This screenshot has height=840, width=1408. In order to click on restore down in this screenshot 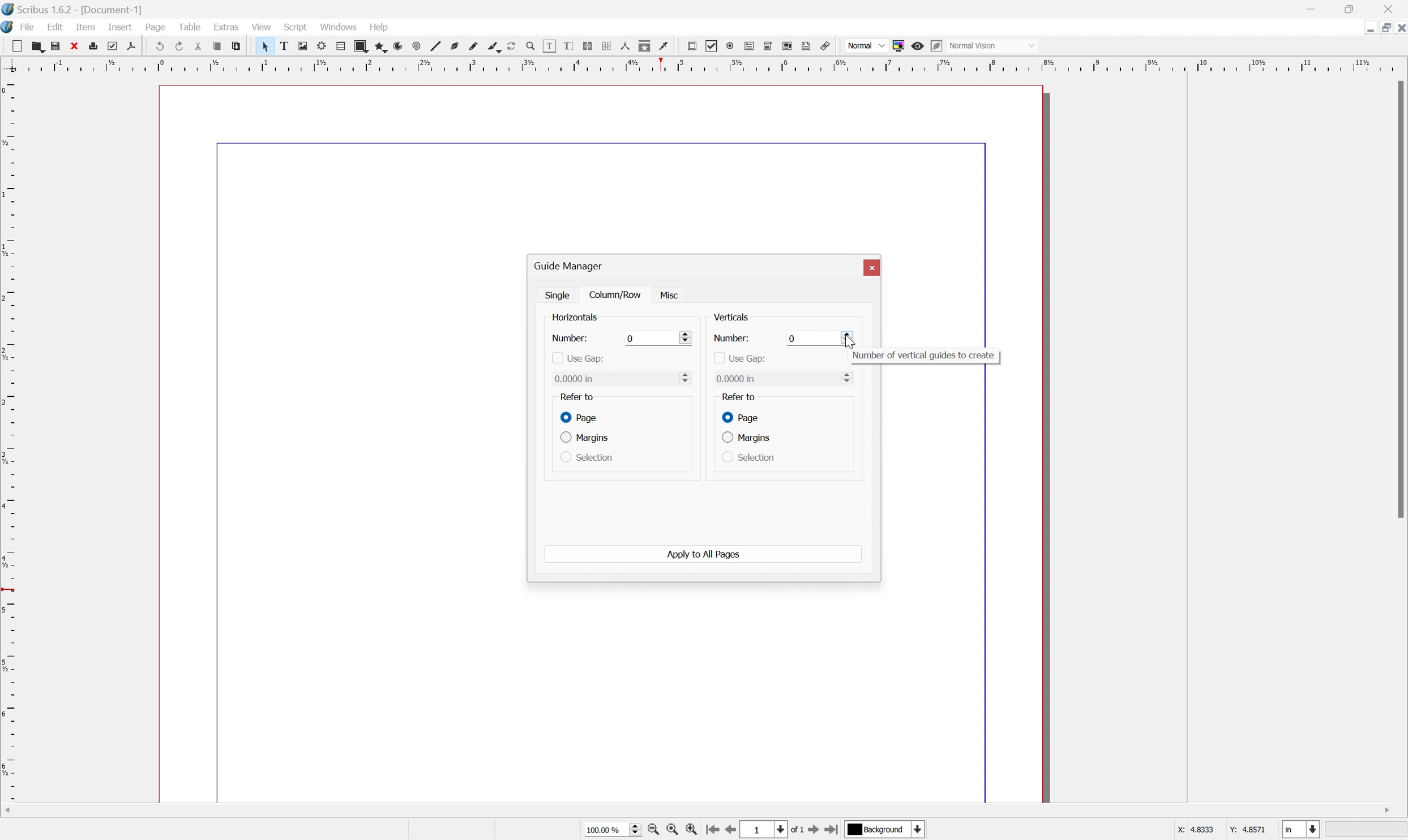, I will do `click(1381, 28)`.